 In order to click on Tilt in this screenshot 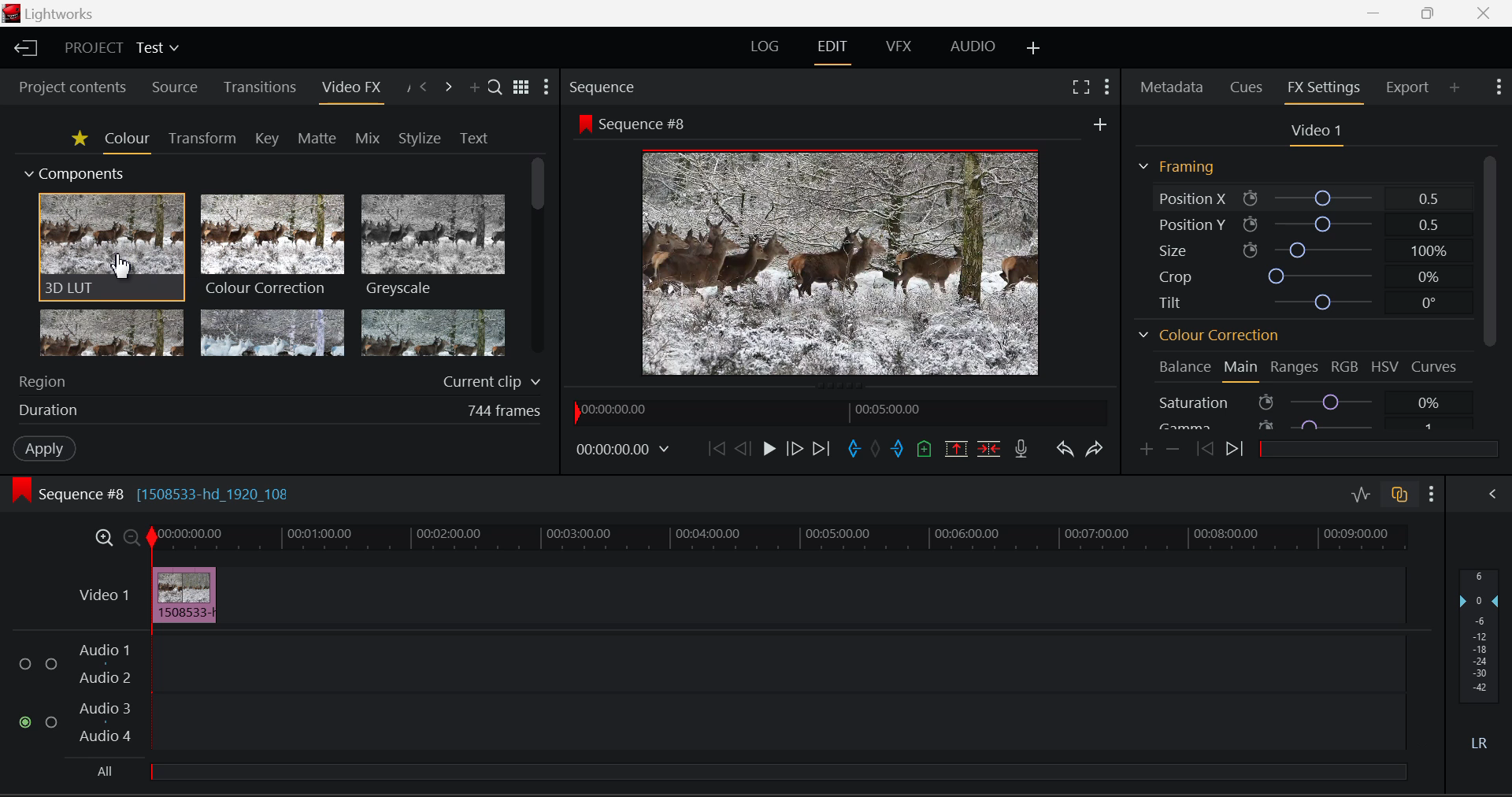, I will do `click(1309, 299)`.